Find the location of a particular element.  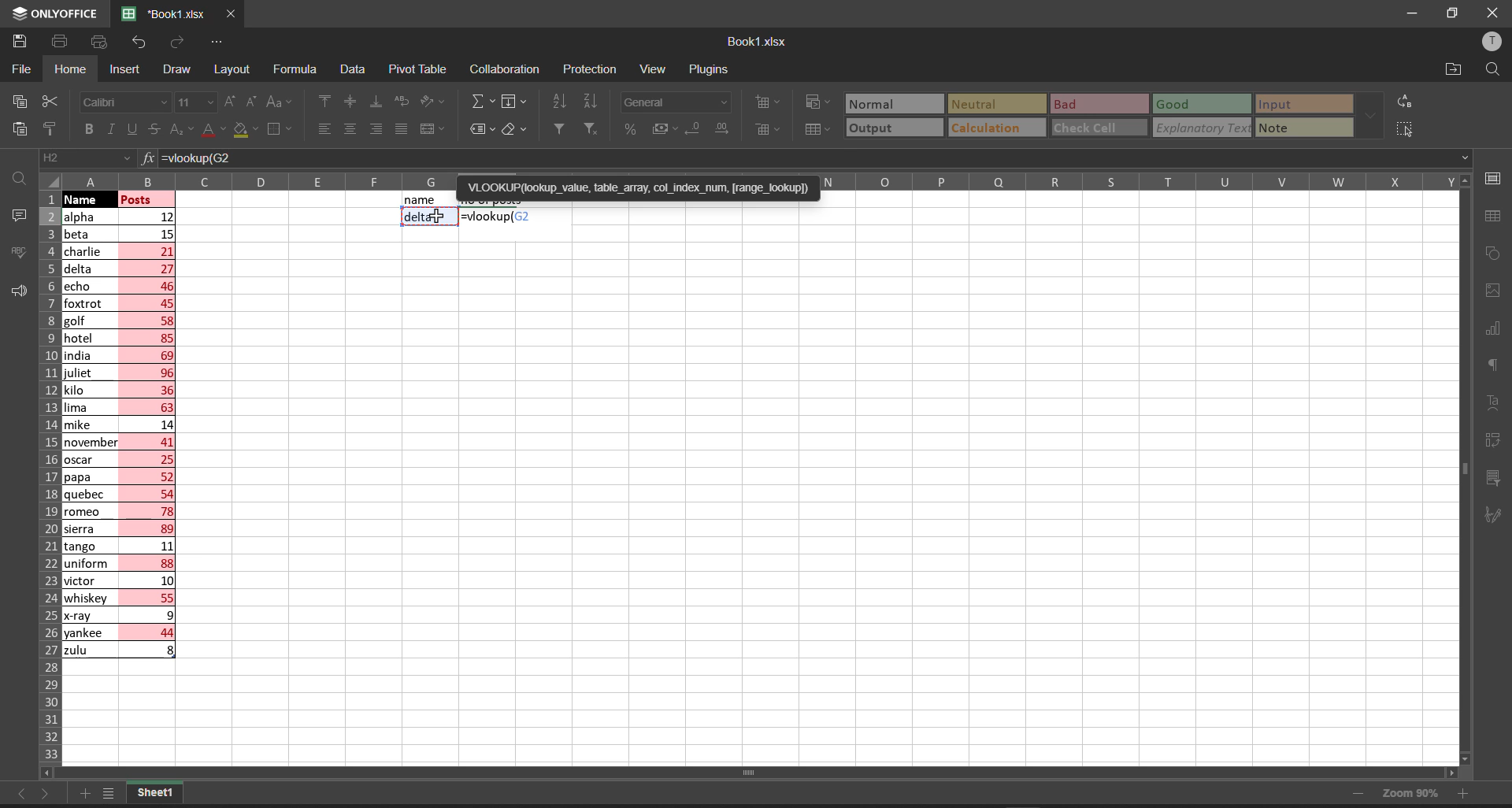

cell address is located at coordinates (84, 159).